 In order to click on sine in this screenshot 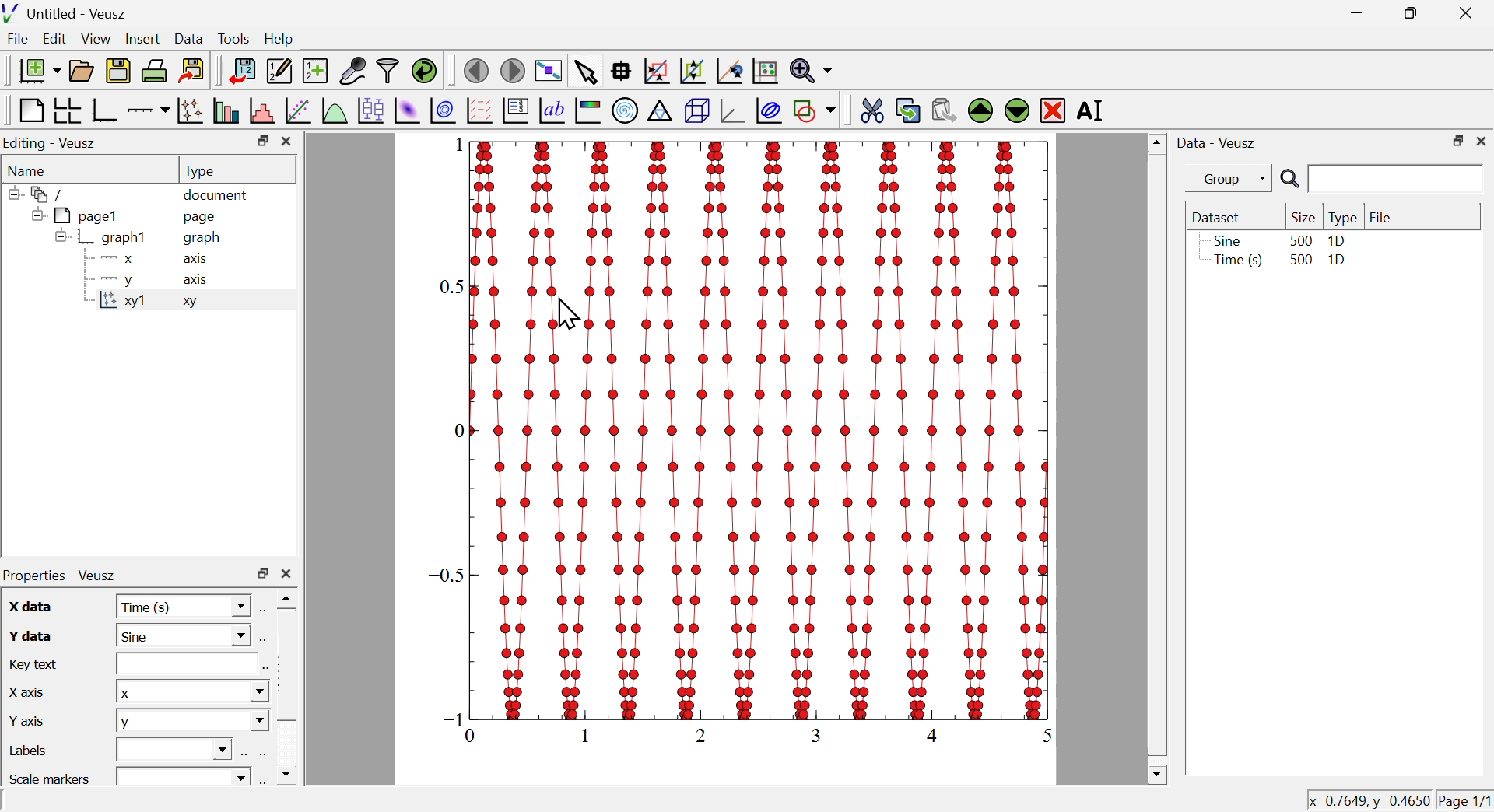, I will do `click(1226, 240)`.